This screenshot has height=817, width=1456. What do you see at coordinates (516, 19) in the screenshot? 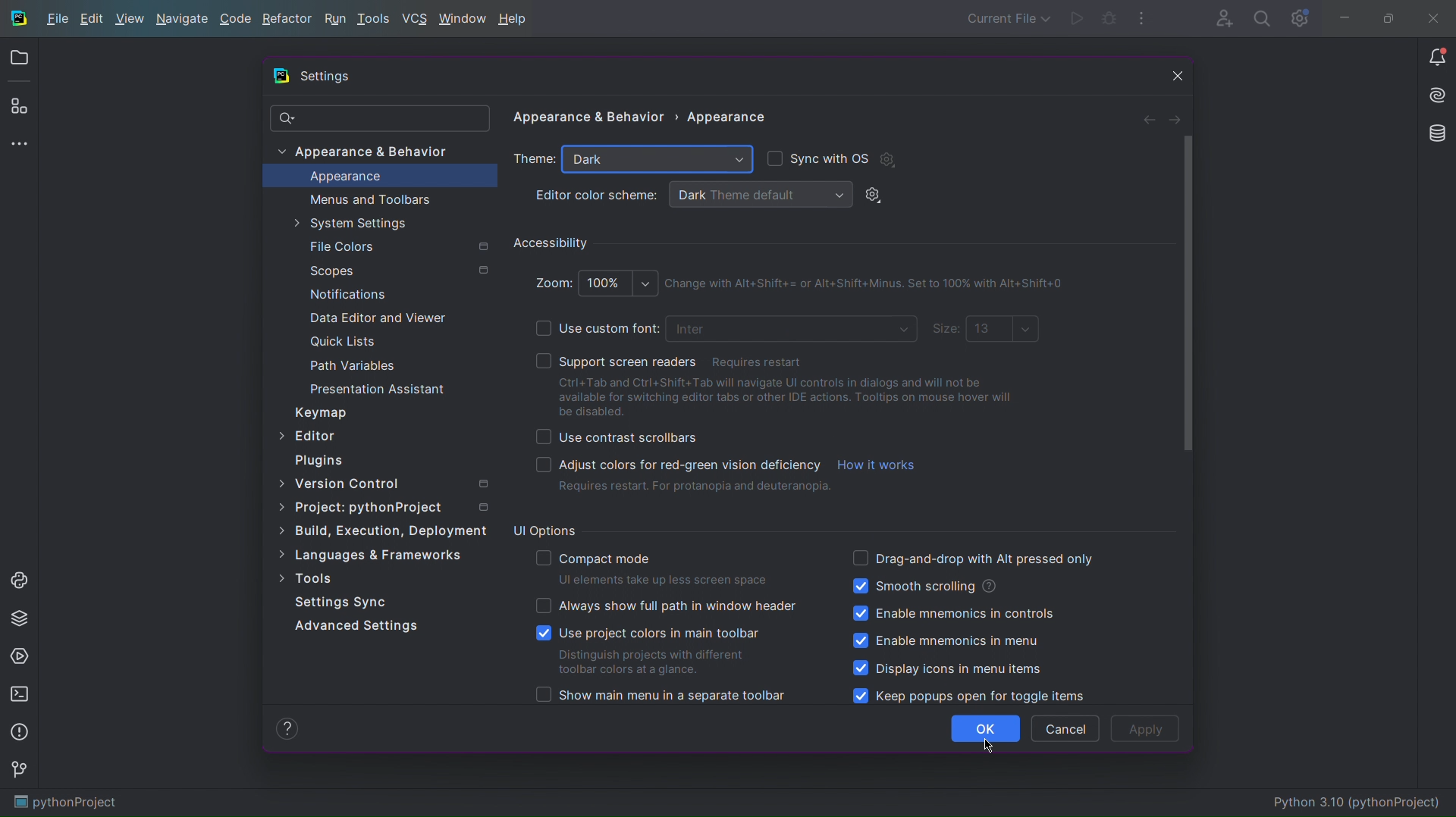
I see `Help` at bounding box center [516, 19].